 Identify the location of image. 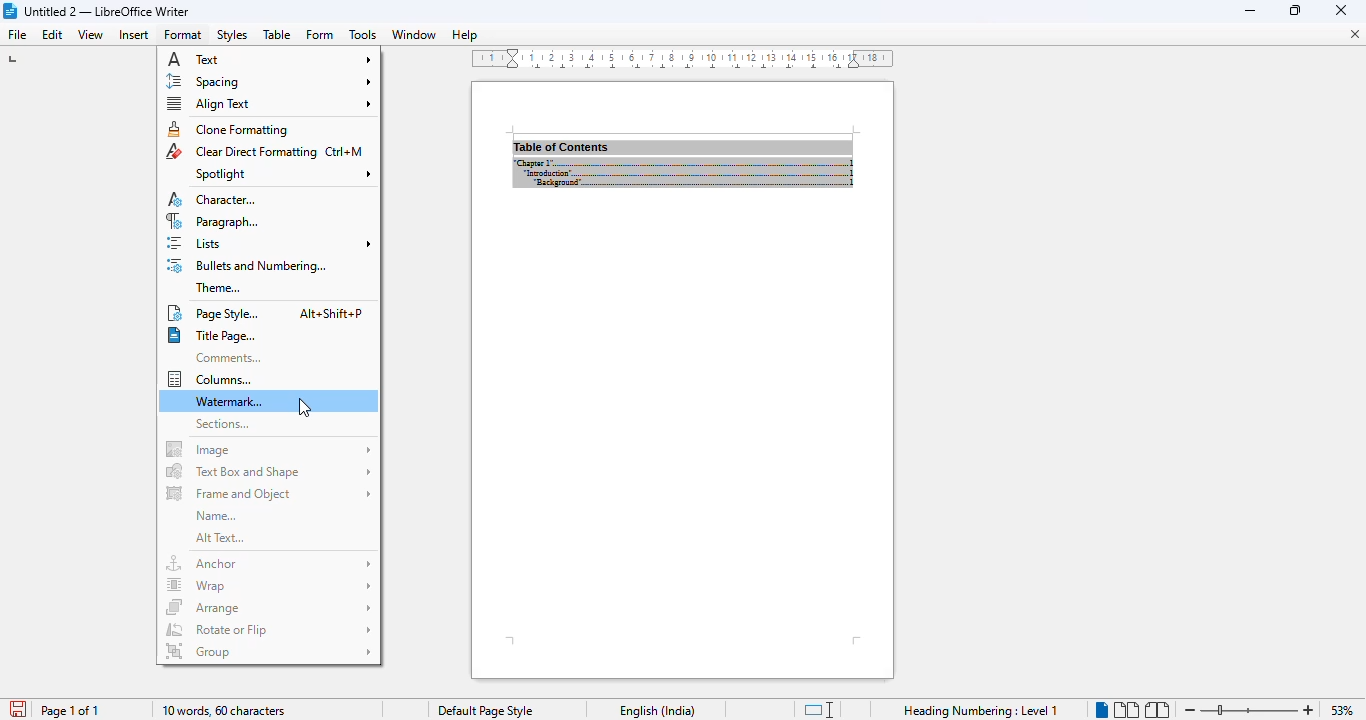
(270, 449).